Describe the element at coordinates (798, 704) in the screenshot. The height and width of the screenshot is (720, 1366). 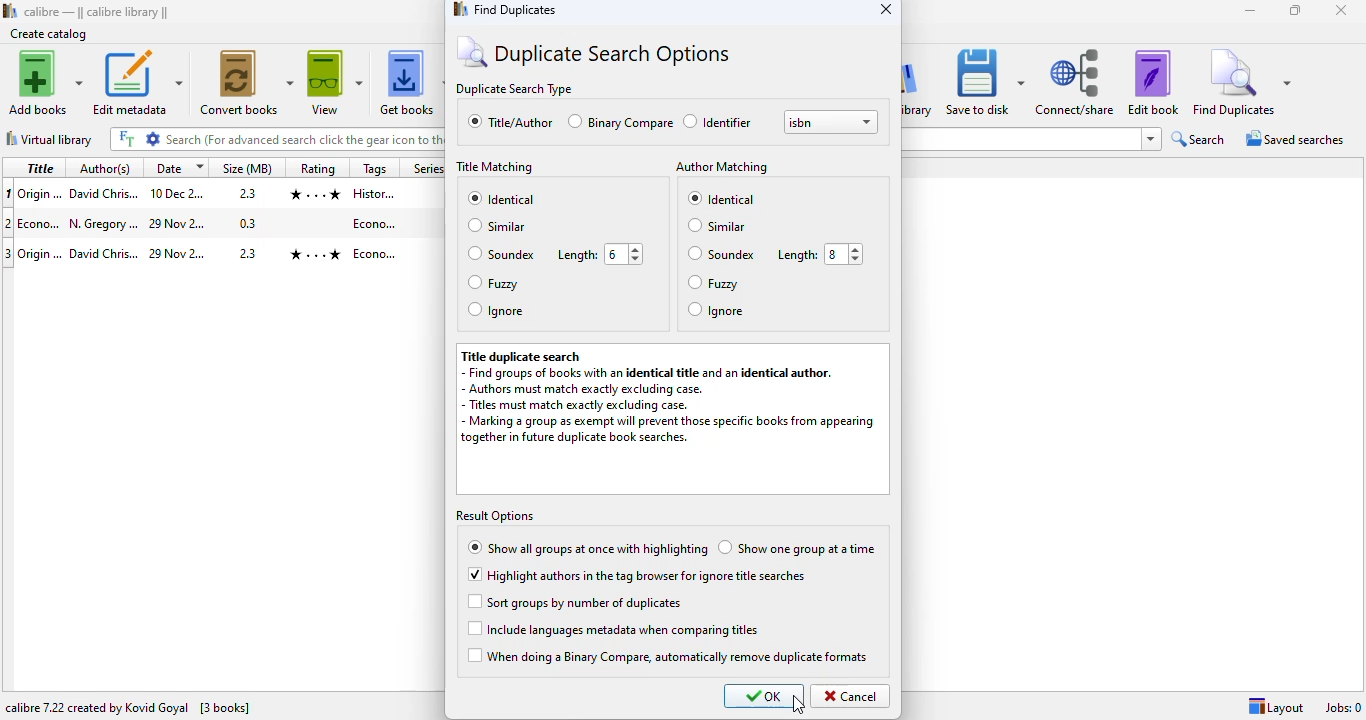
I see `cursor` at that location.